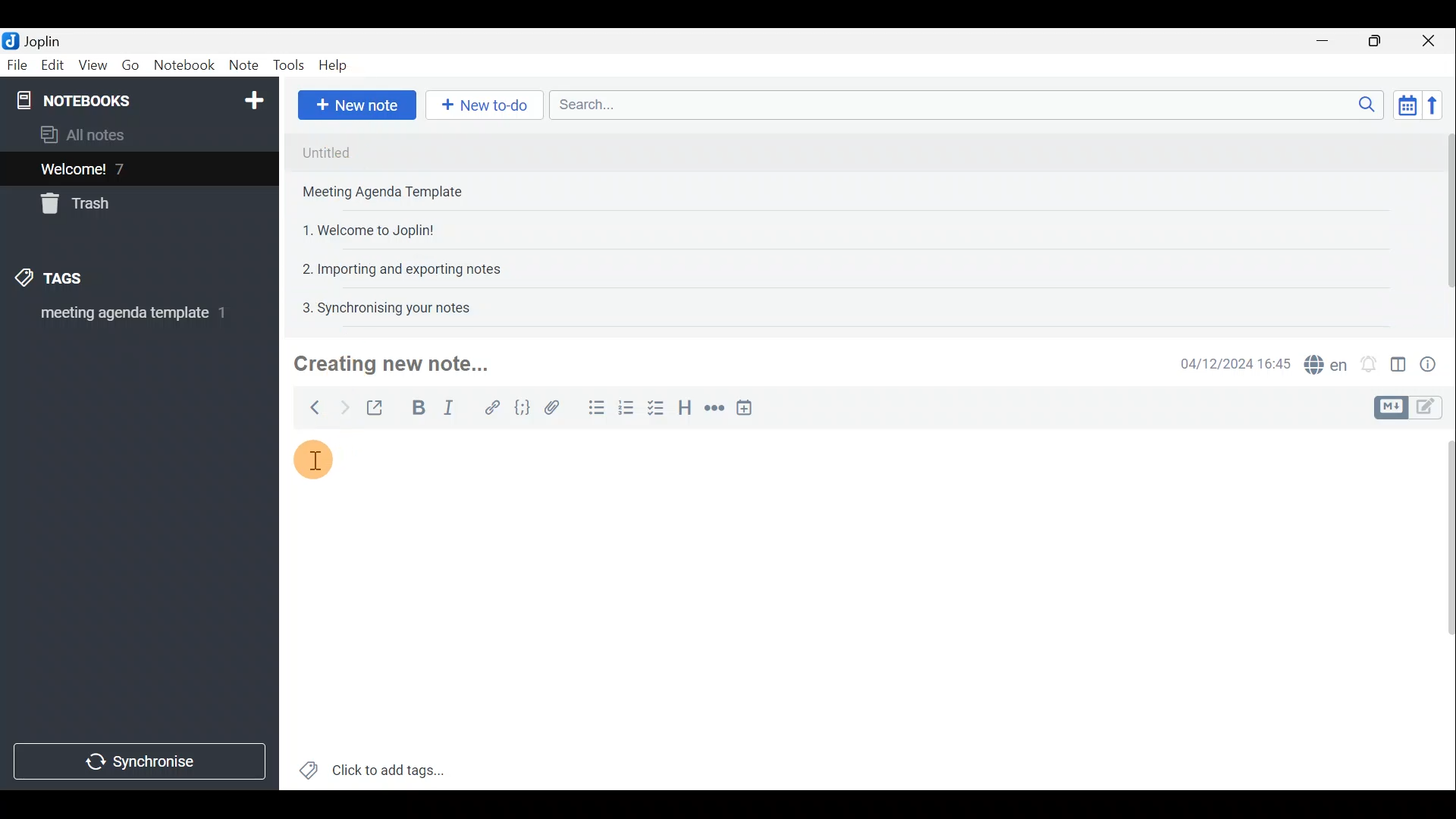  I want to click on All notes, so click(88, 134).